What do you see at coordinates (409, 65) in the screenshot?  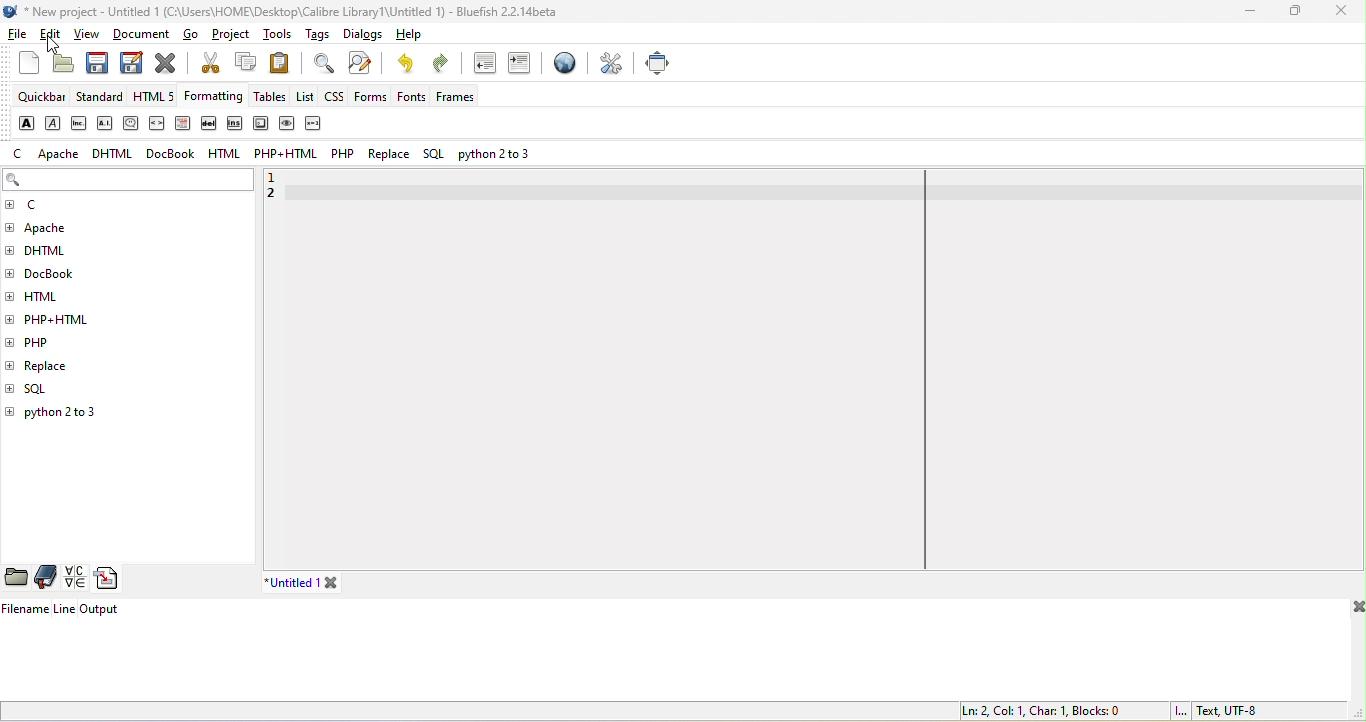 I see `undo` at bounding box center [409, 65].